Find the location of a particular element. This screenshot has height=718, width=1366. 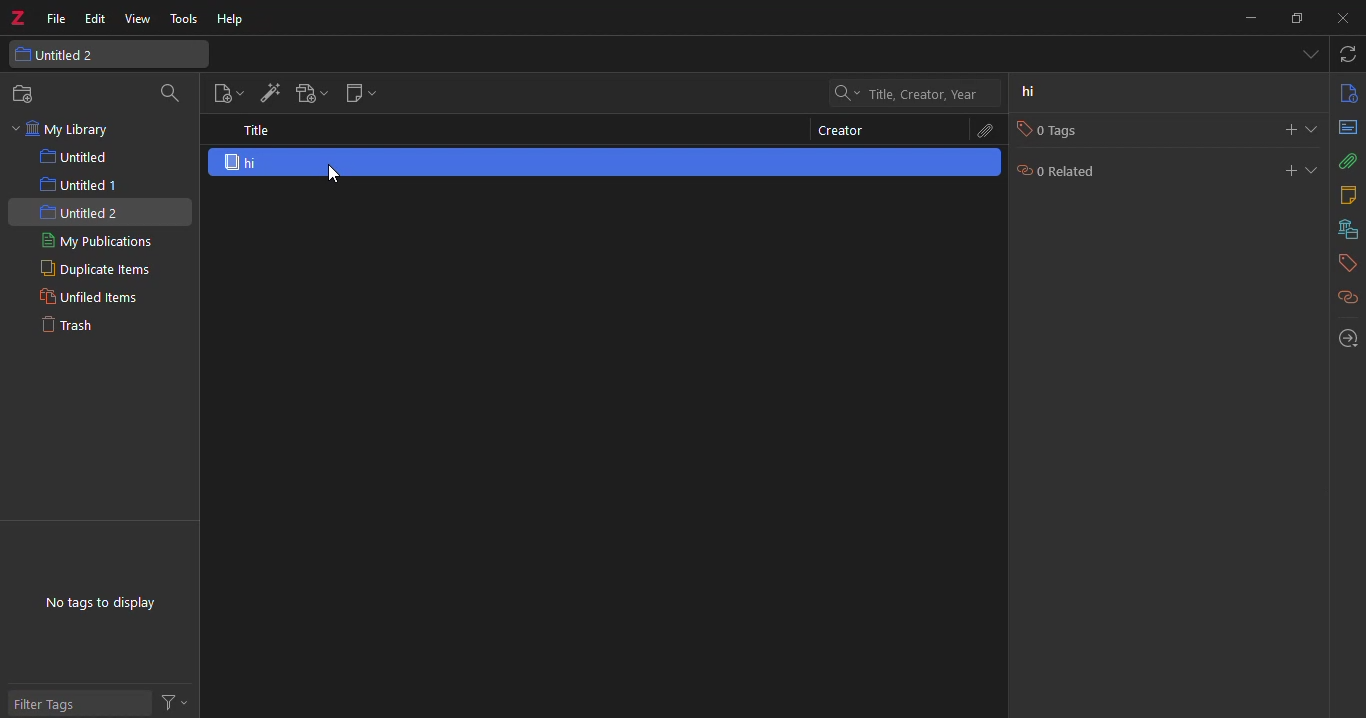

close is located at coordinates (1345, 17).